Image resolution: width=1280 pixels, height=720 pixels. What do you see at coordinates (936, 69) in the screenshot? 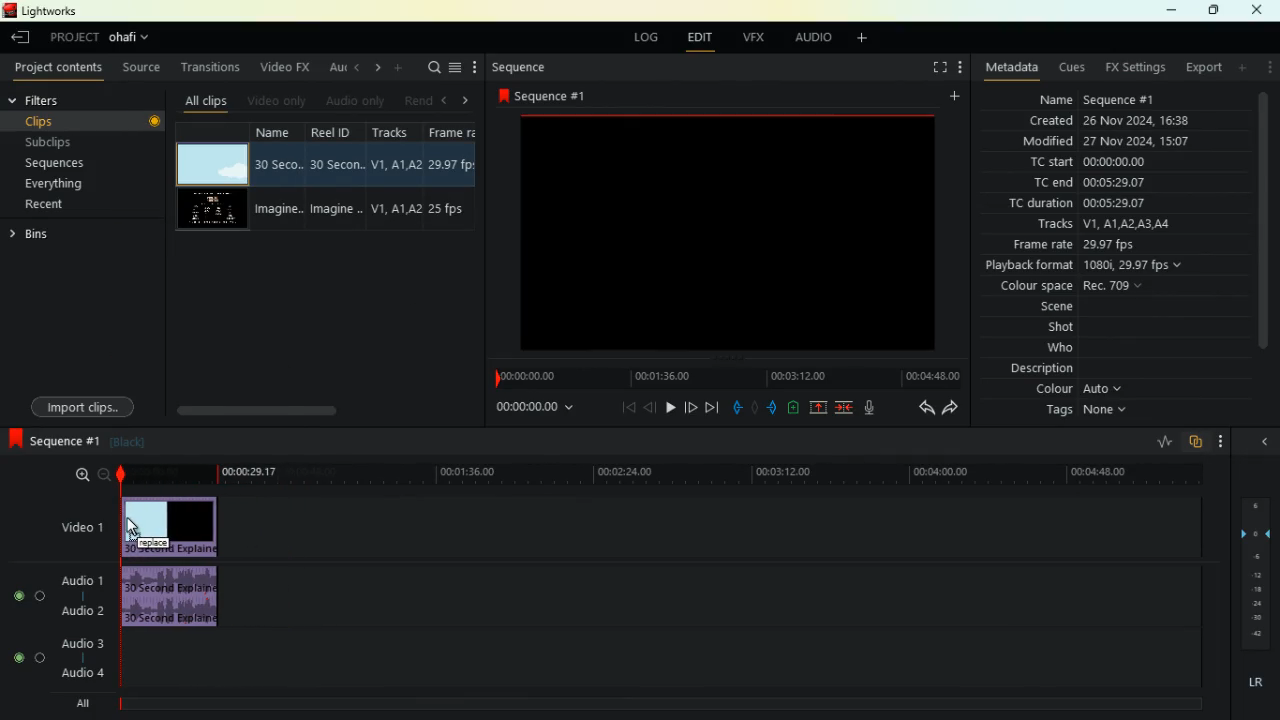
I see `screen` at bounding box center [936, 69].